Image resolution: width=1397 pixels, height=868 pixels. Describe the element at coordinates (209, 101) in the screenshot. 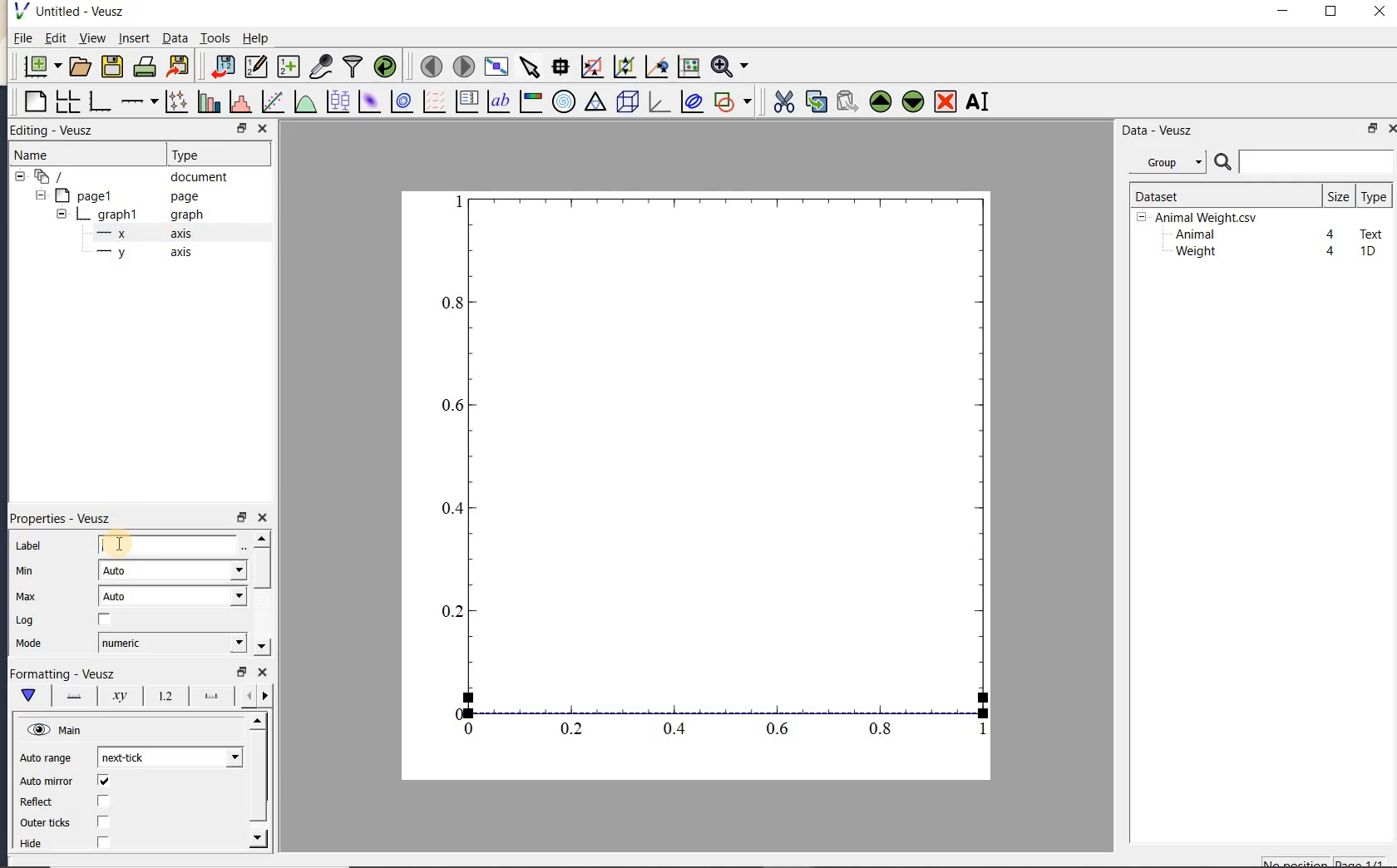

I see `plot bar charts` at that location.